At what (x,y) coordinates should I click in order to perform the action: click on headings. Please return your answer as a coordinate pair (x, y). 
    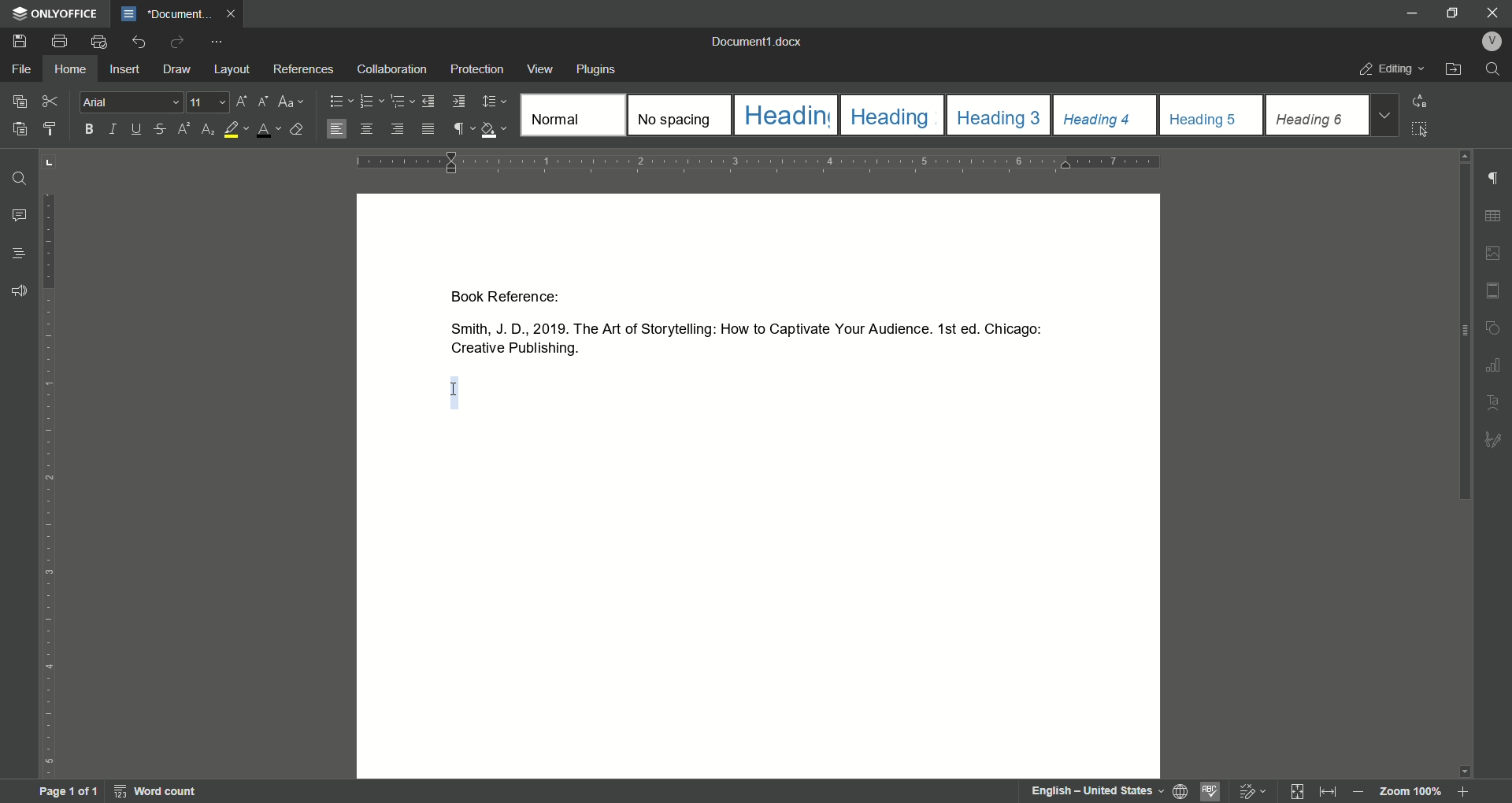
    Looking at the image, I should click on (1212, 115).